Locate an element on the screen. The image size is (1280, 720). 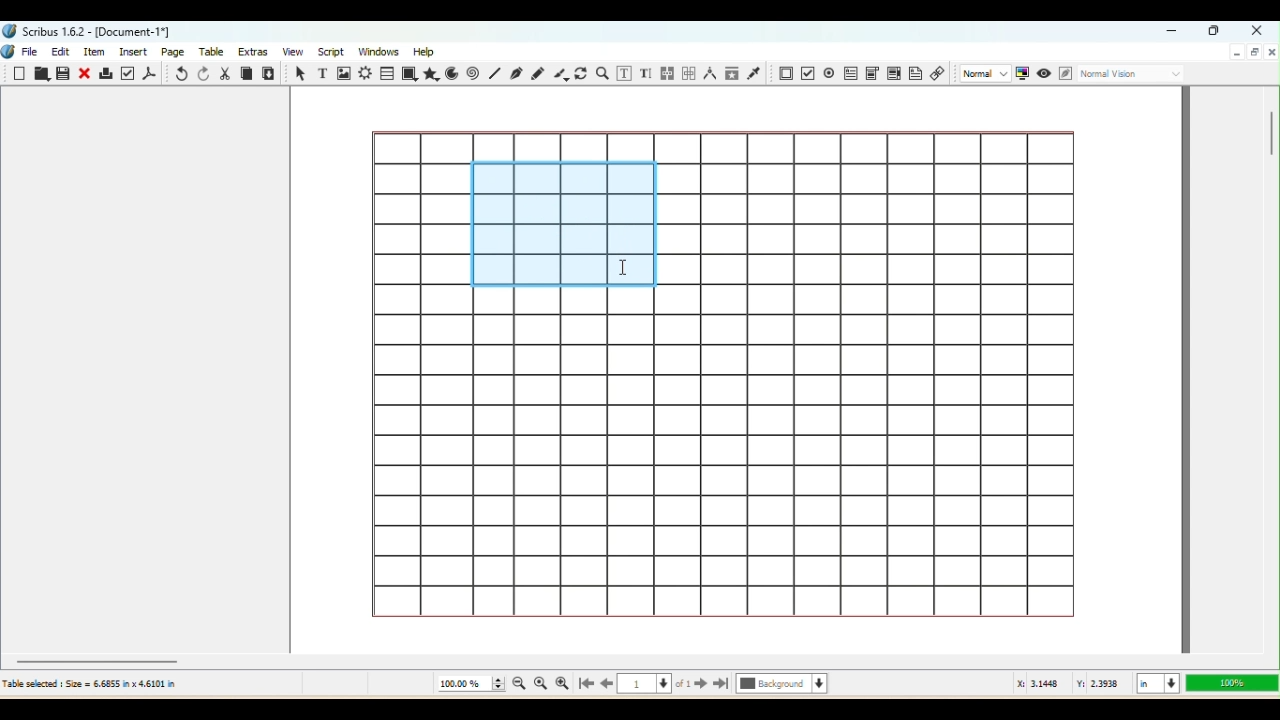
Page is located at coordinates (175, 51).